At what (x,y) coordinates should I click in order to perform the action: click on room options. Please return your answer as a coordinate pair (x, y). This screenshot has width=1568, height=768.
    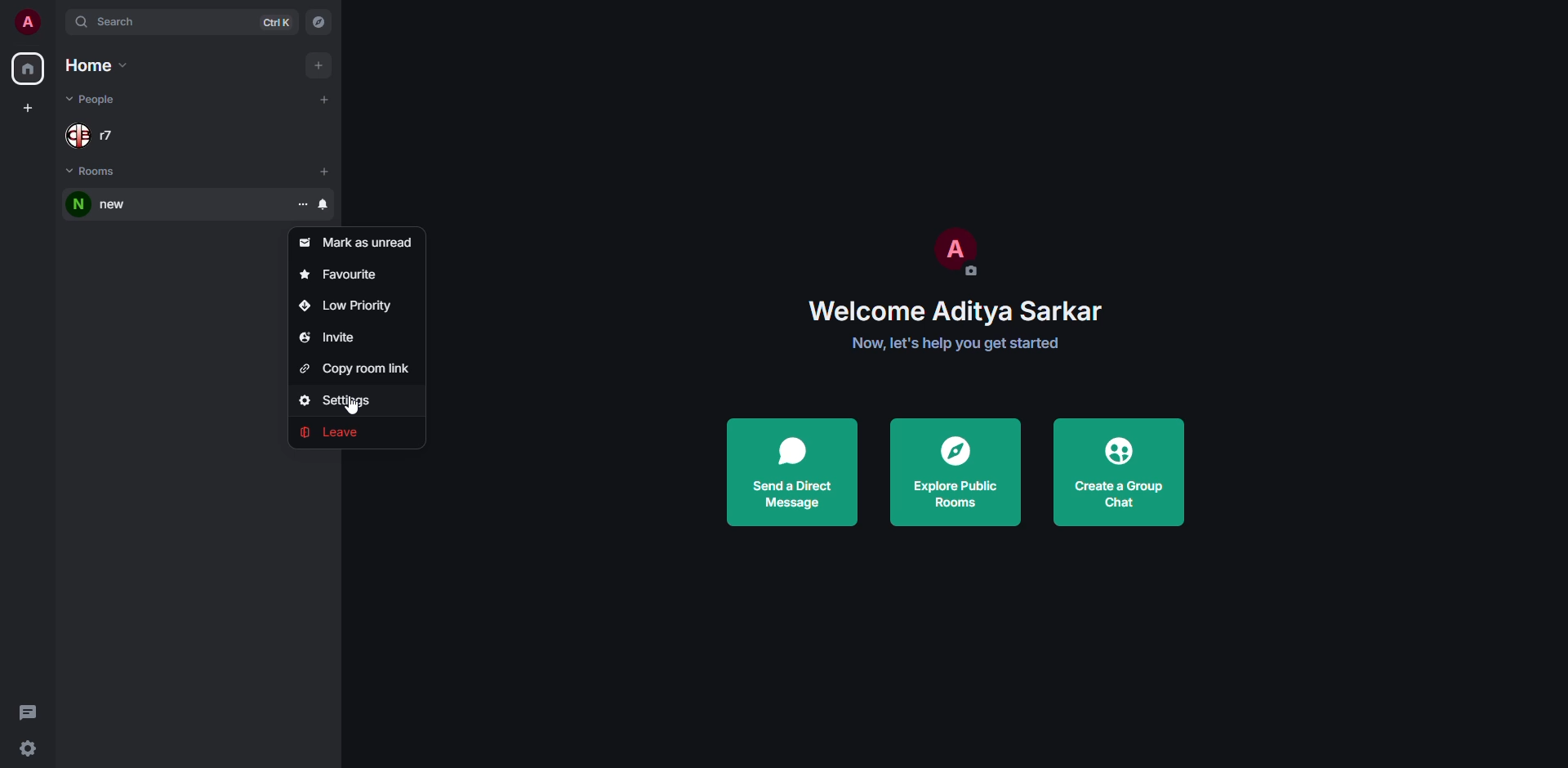
    Looking at the image, I should click on (305, 204).